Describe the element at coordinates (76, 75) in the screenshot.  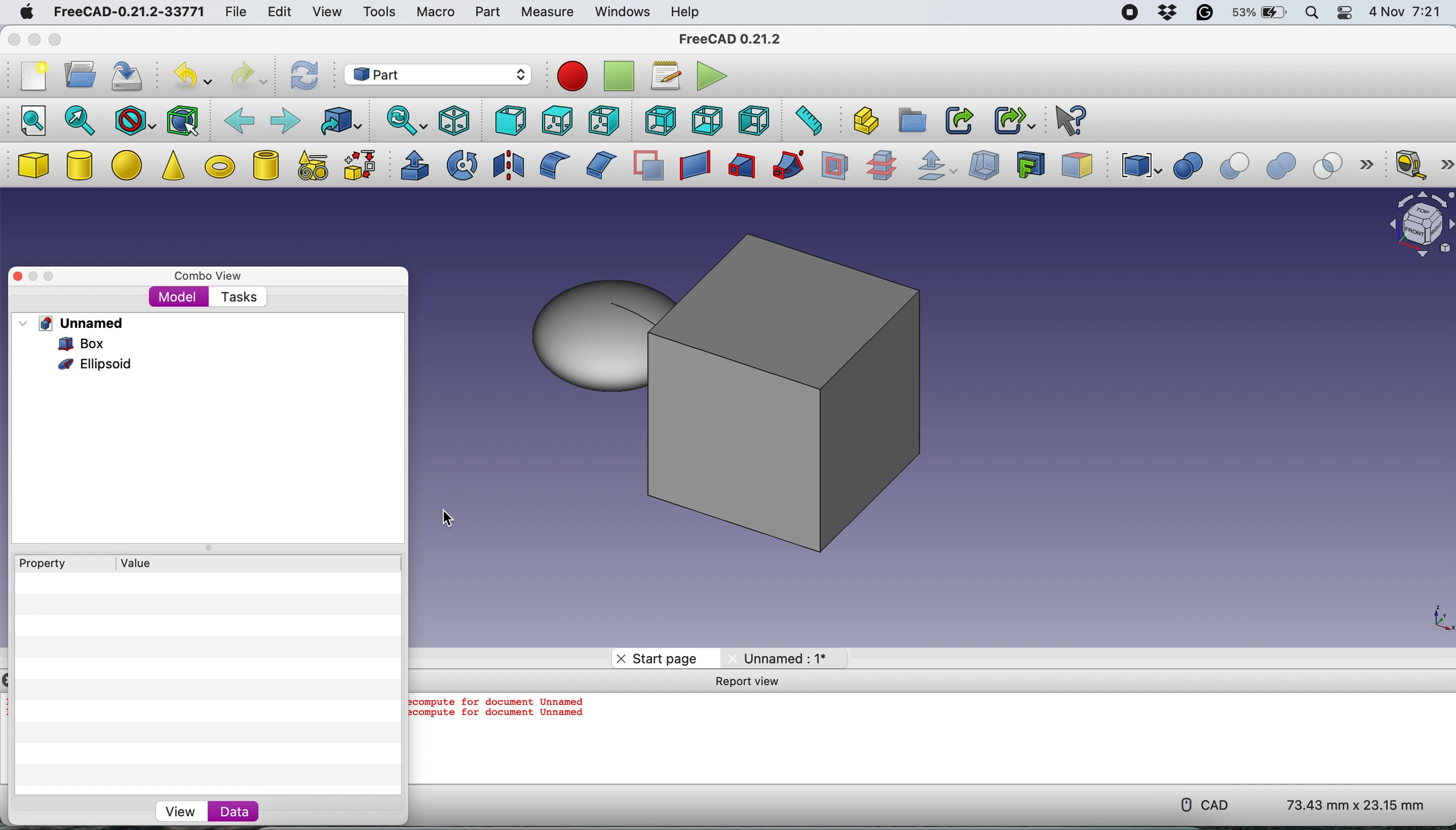
I see `open` at that location.